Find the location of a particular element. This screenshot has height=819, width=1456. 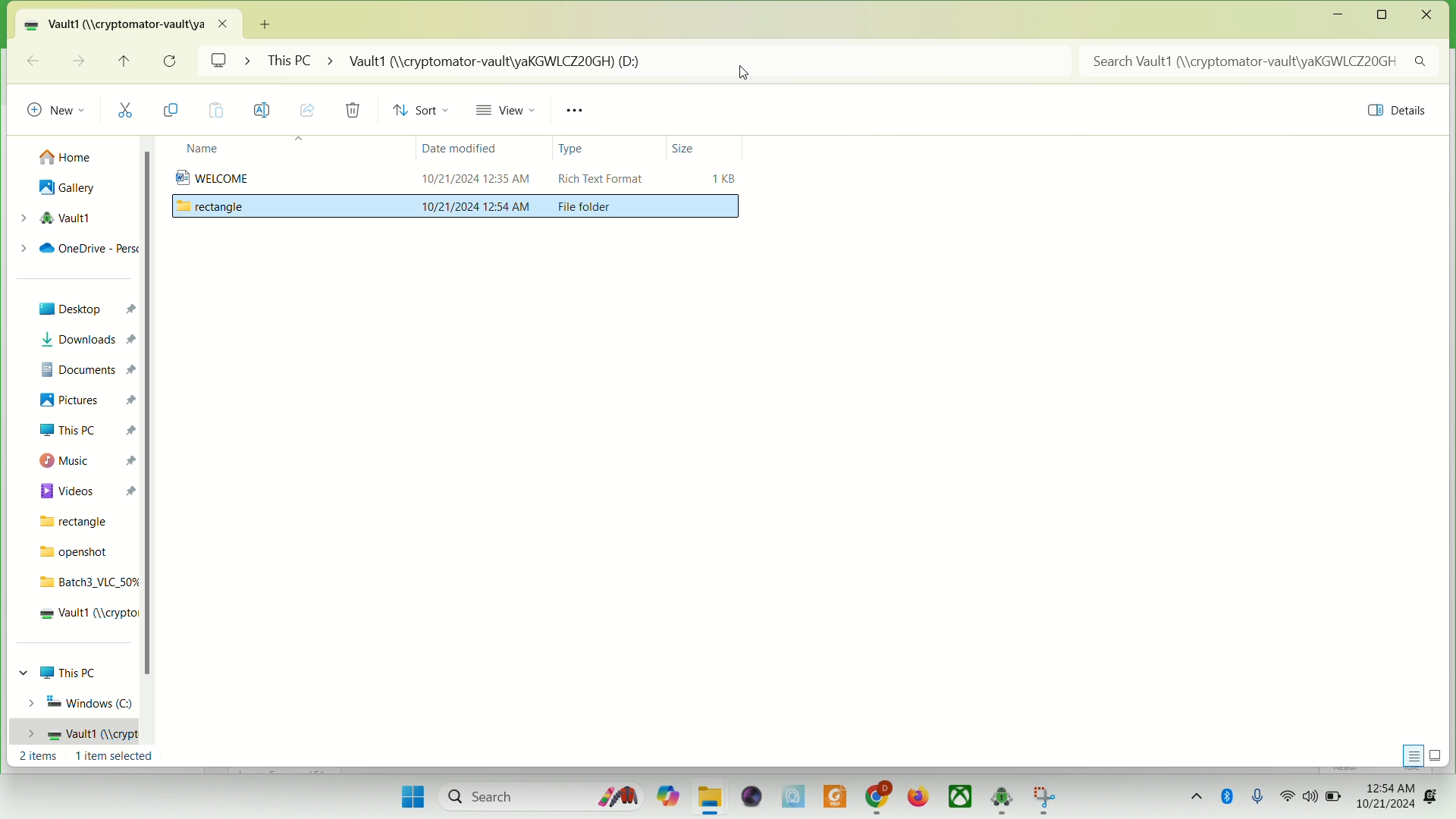

Add is located at coordinates (268, 22).